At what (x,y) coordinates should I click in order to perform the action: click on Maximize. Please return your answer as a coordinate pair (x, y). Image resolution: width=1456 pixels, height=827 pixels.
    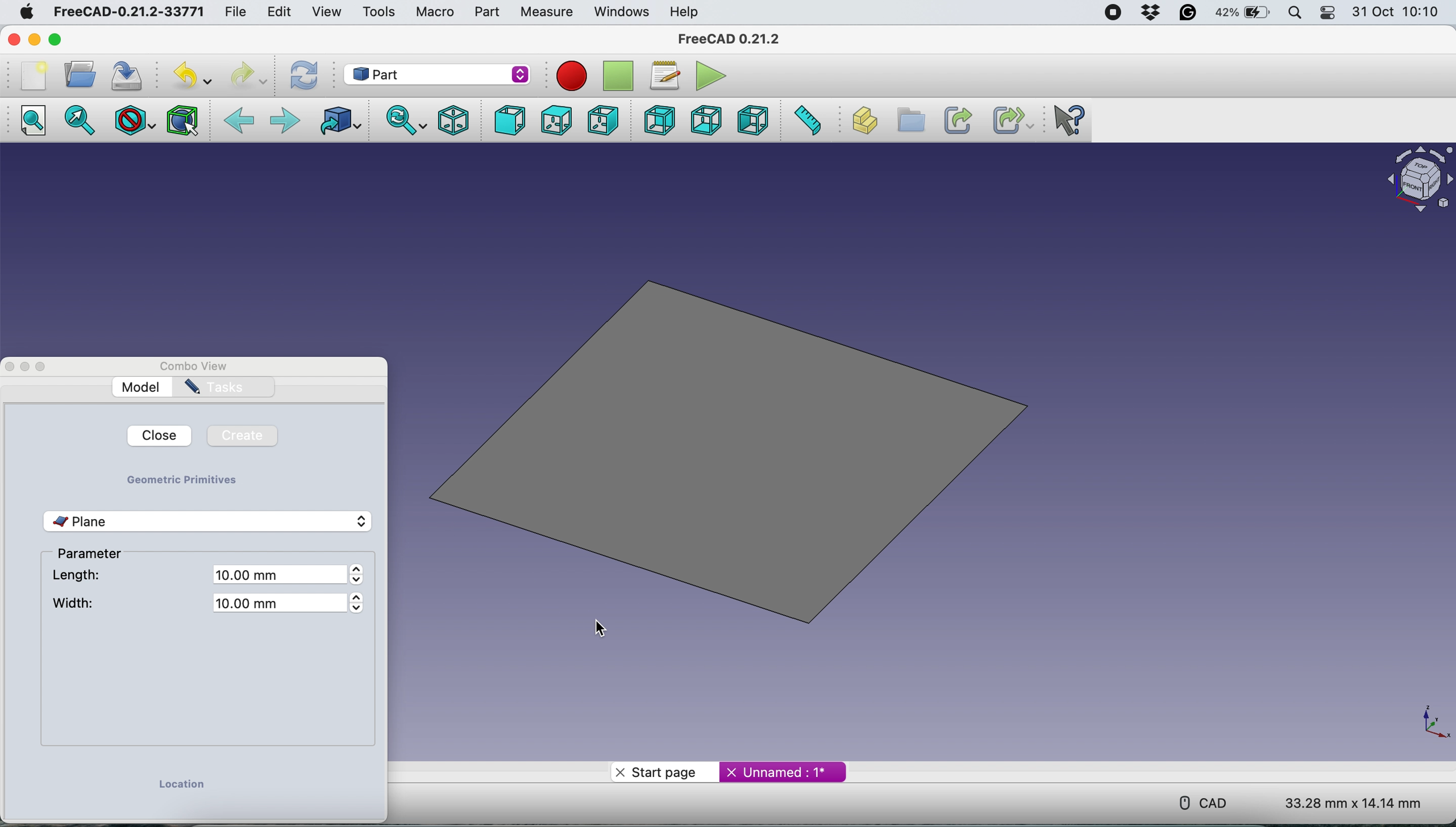
    Looking at the image, I should click on (45, 365).